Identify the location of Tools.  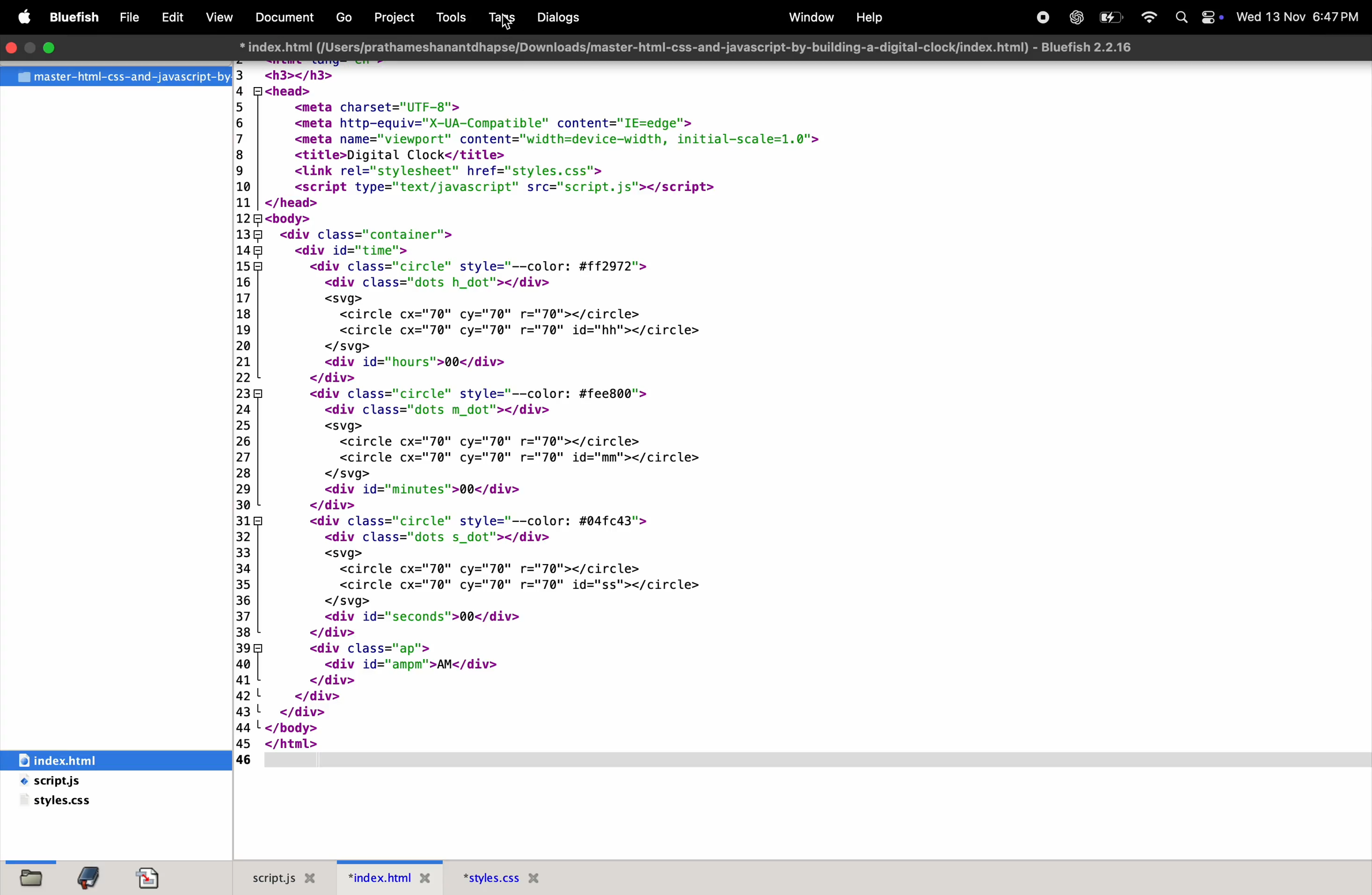
(451, 18).